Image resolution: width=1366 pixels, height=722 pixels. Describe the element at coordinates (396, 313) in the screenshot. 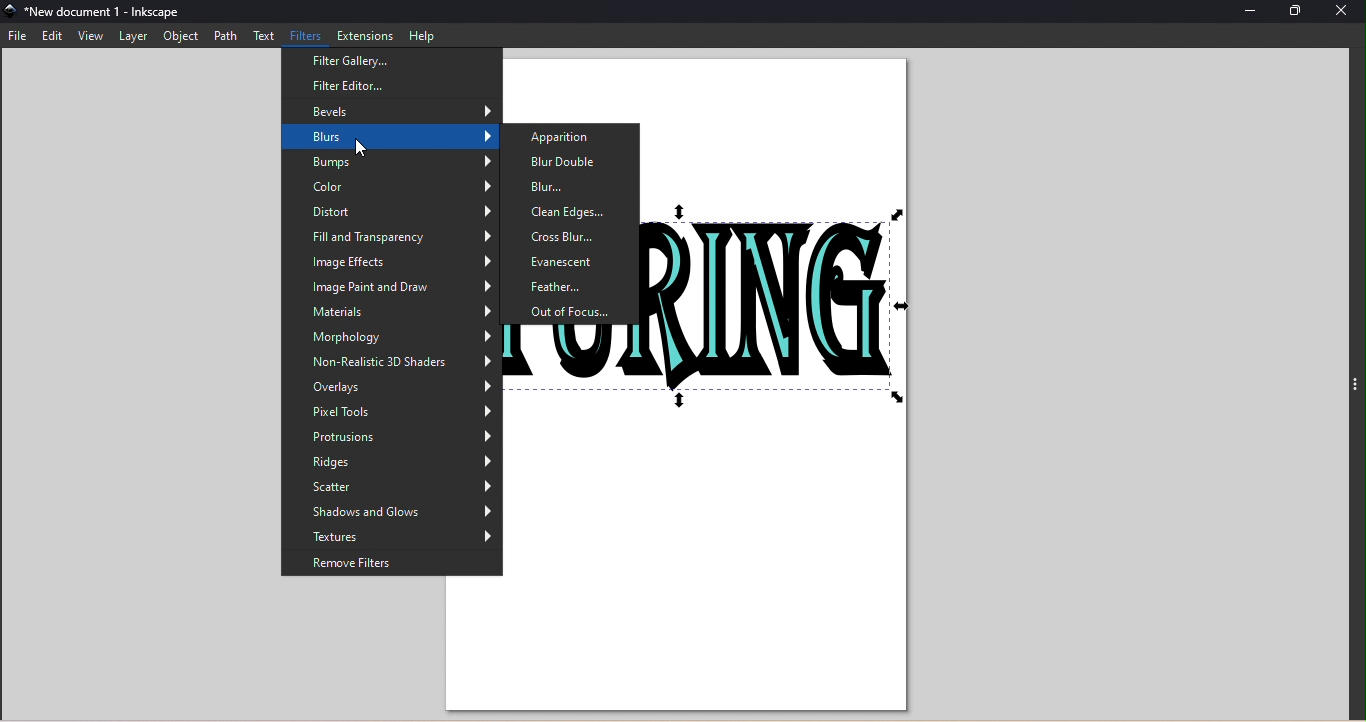

I see `Materials` at that location.